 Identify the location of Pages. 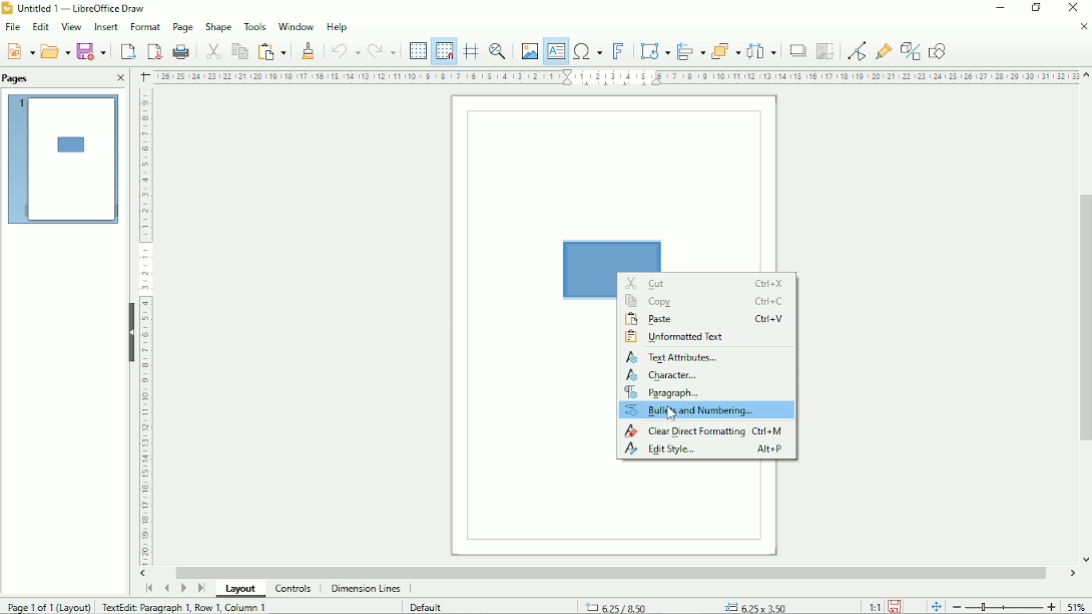
(16, 79).